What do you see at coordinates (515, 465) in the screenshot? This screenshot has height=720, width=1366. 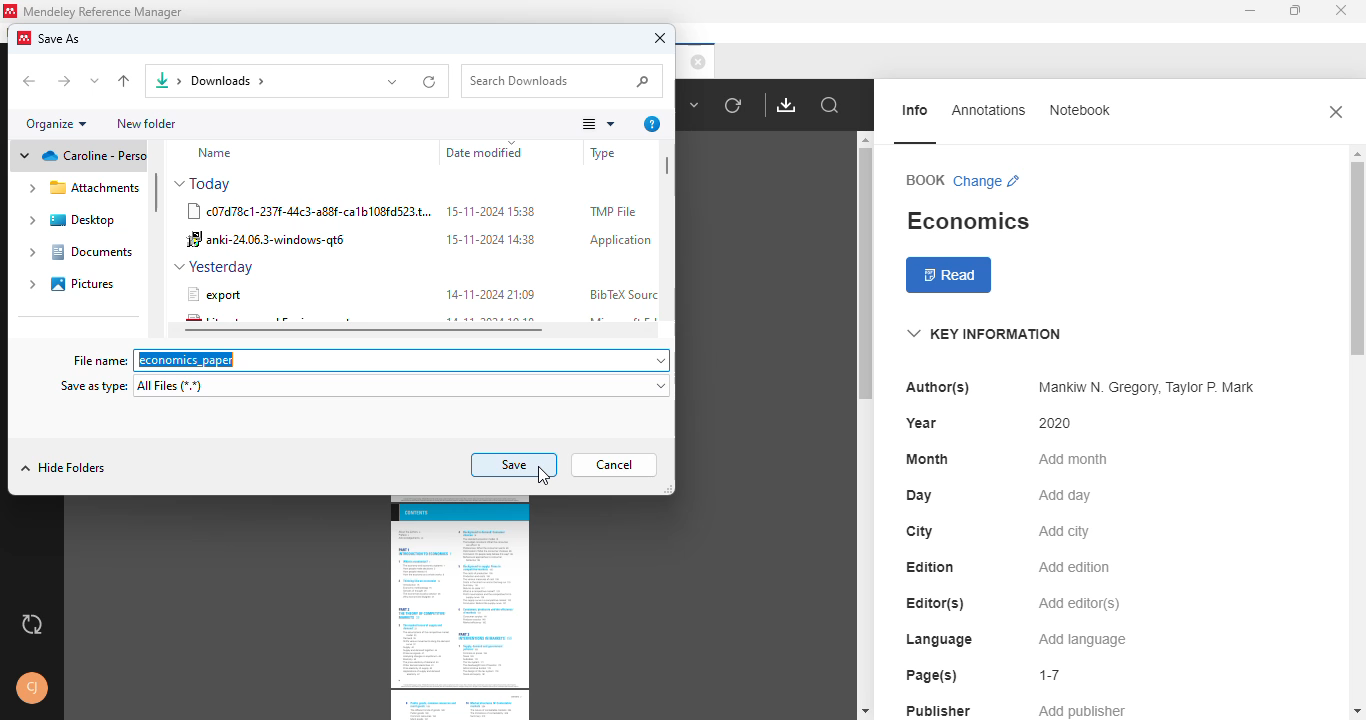 I see `save` at bounding box center [515, 465].